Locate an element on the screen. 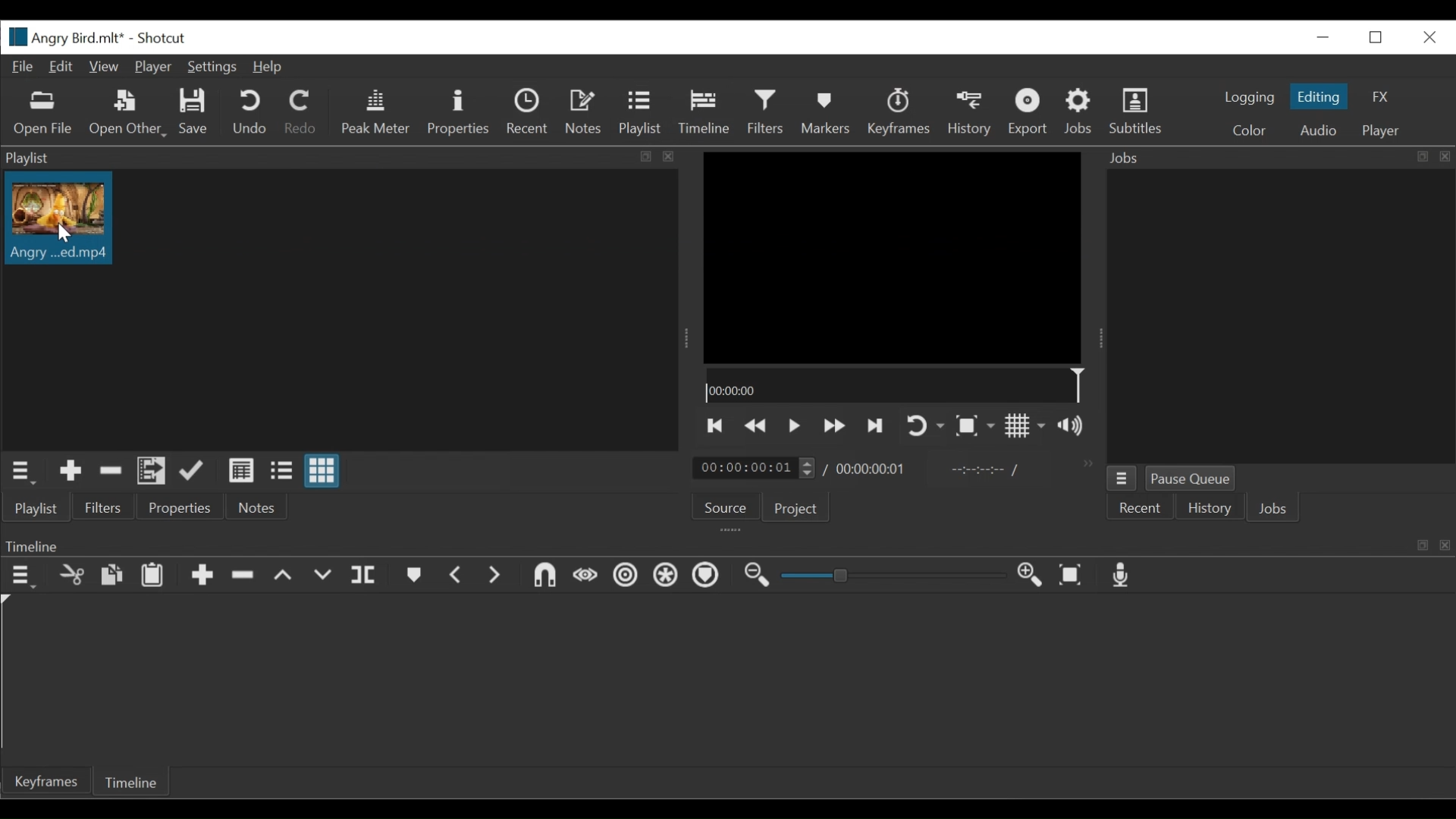 This screenshot has height=819, width=1456. Media viewer is located at coordinates (893, 259).